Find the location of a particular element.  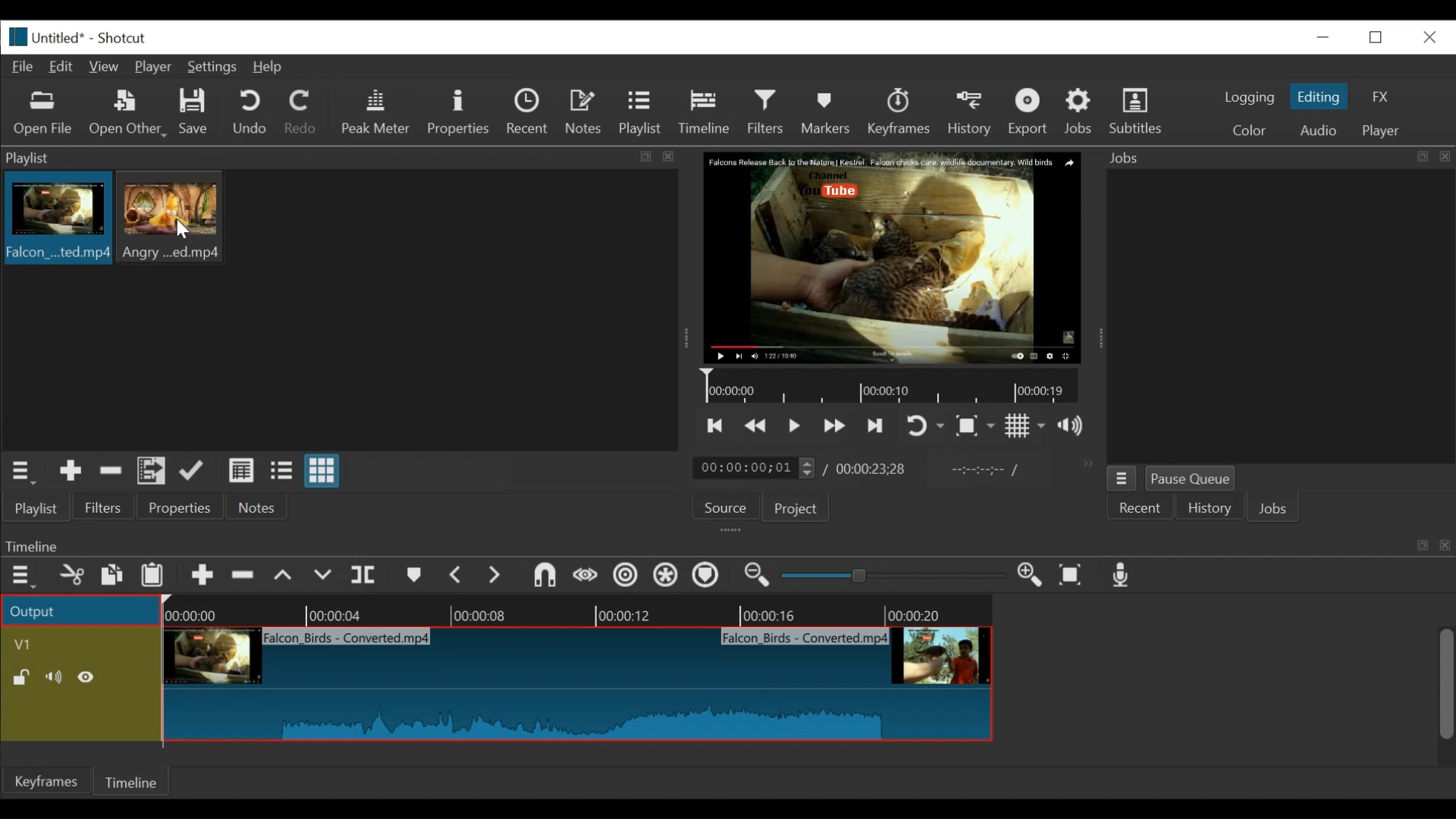

Hide is located at coordinates (90, 677).